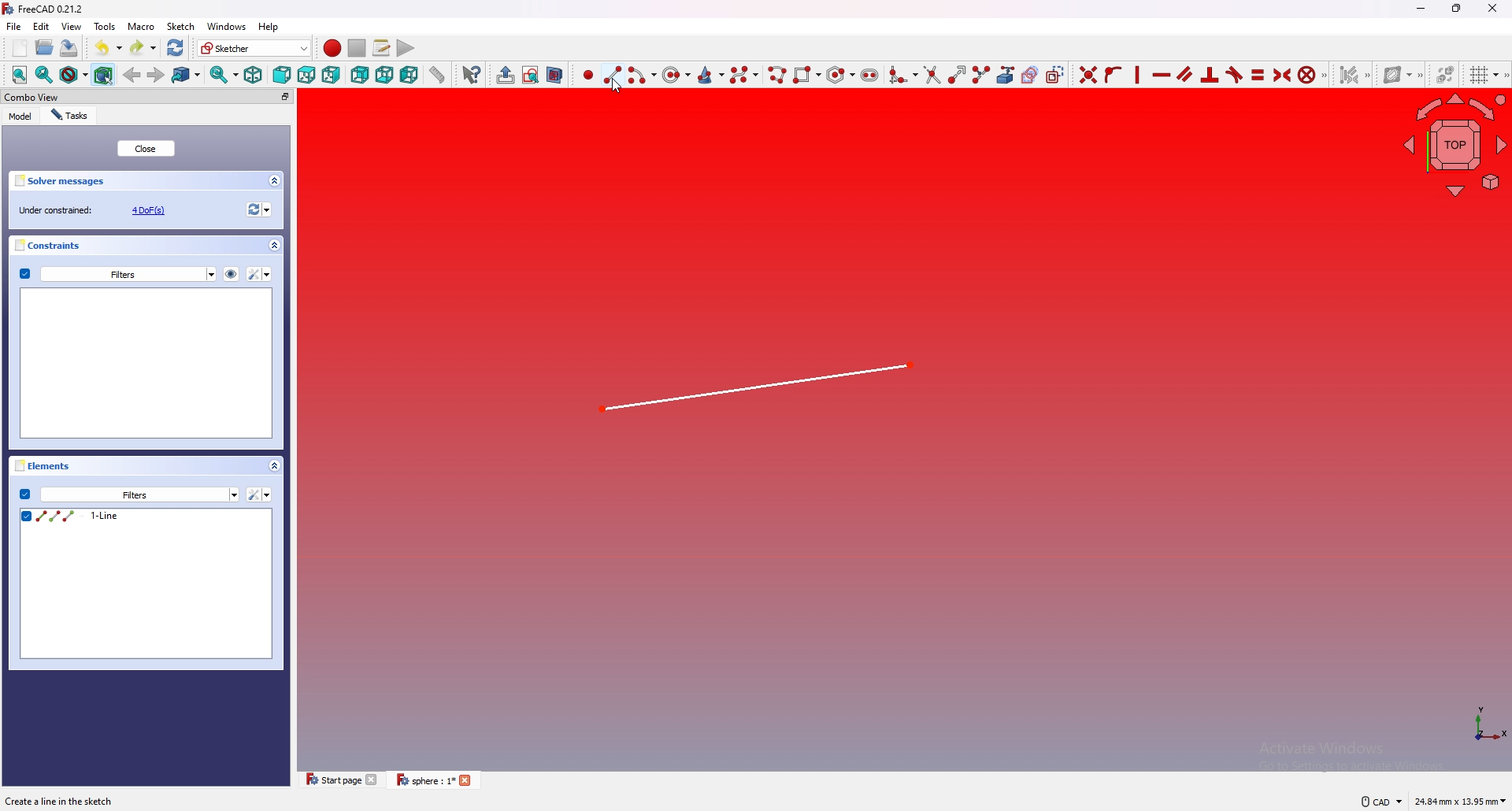  Describe the element at coordinates (806, 73) in the screenshot. I see `Create rectangle` at that location.